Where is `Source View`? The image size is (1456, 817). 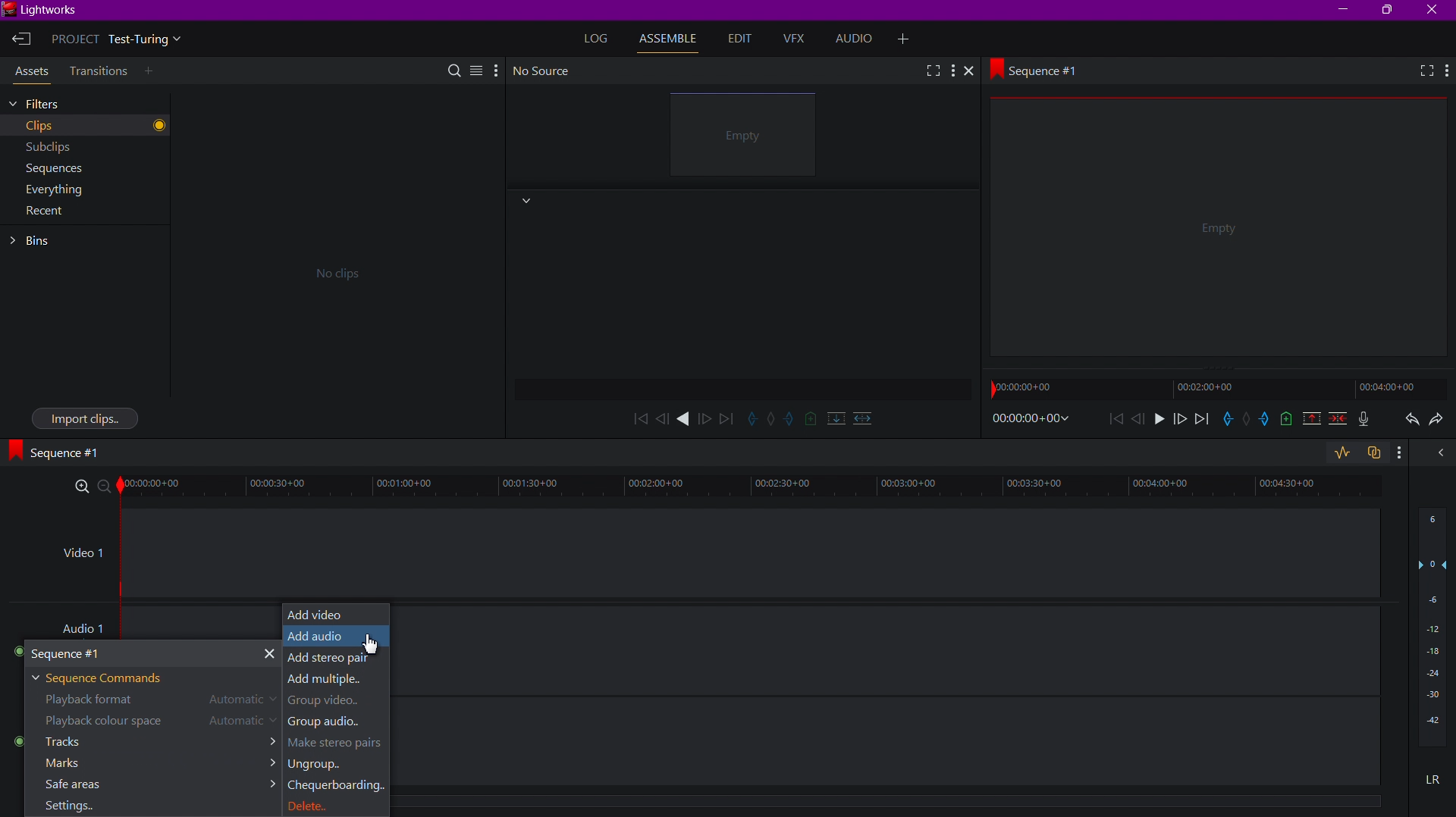
Source View is located at coordinates (747, 137).